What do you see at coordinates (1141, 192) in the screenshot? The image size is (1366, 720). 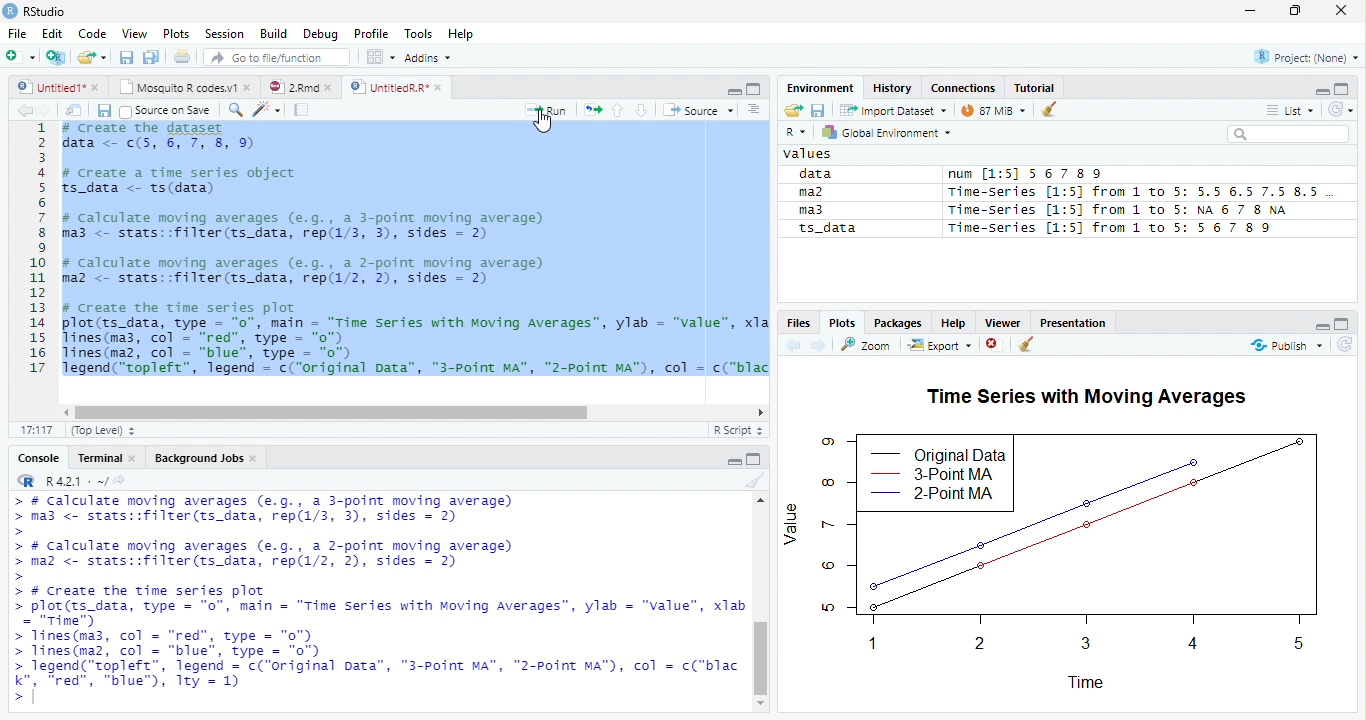 I see `Time-series [1:5] from 1 to 5: 5.5 6.5 7` at bounding box center [1141, 192].